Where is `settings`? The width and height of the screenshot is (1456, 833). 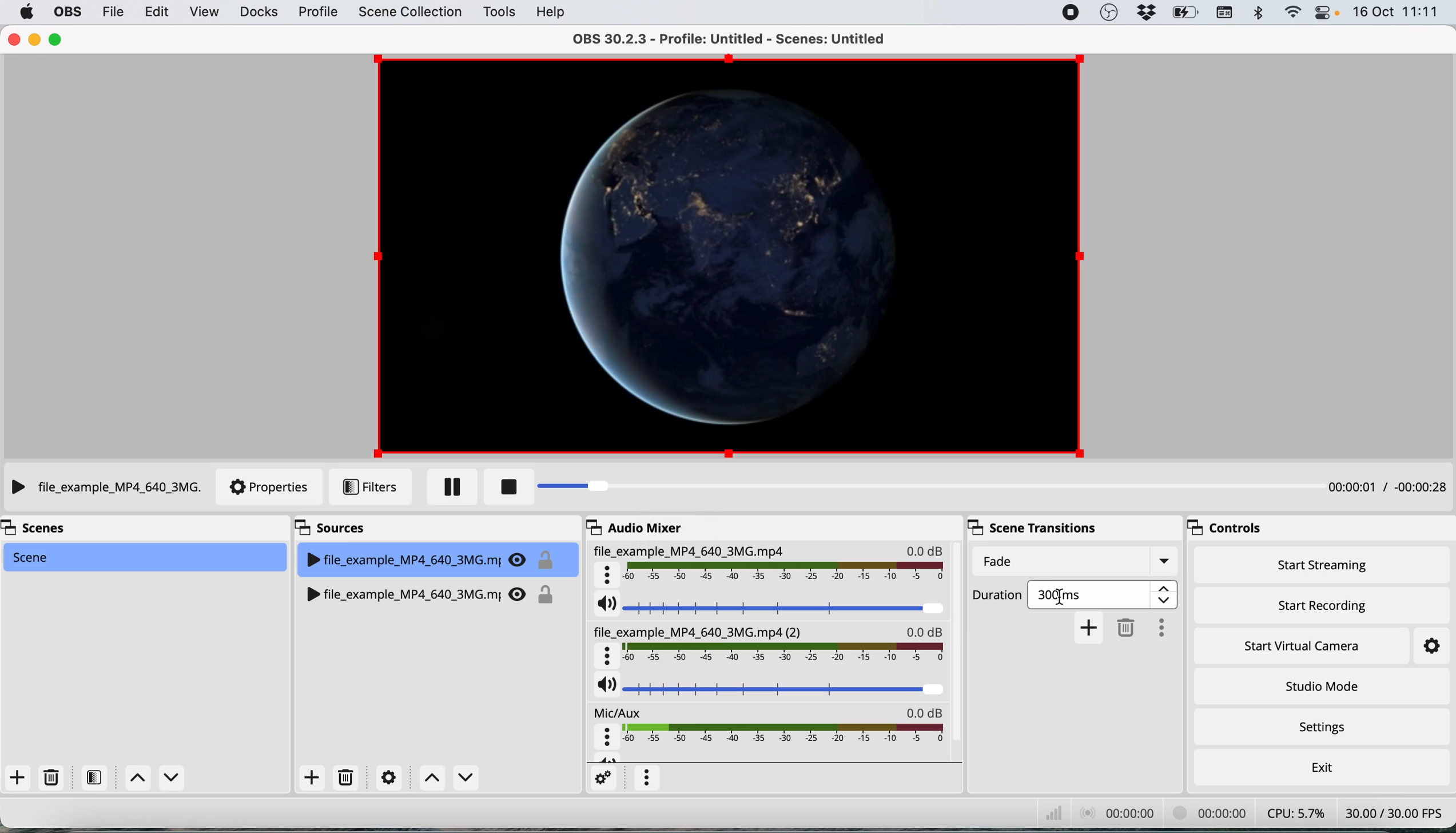 settings is located at coordinates (385, 778).